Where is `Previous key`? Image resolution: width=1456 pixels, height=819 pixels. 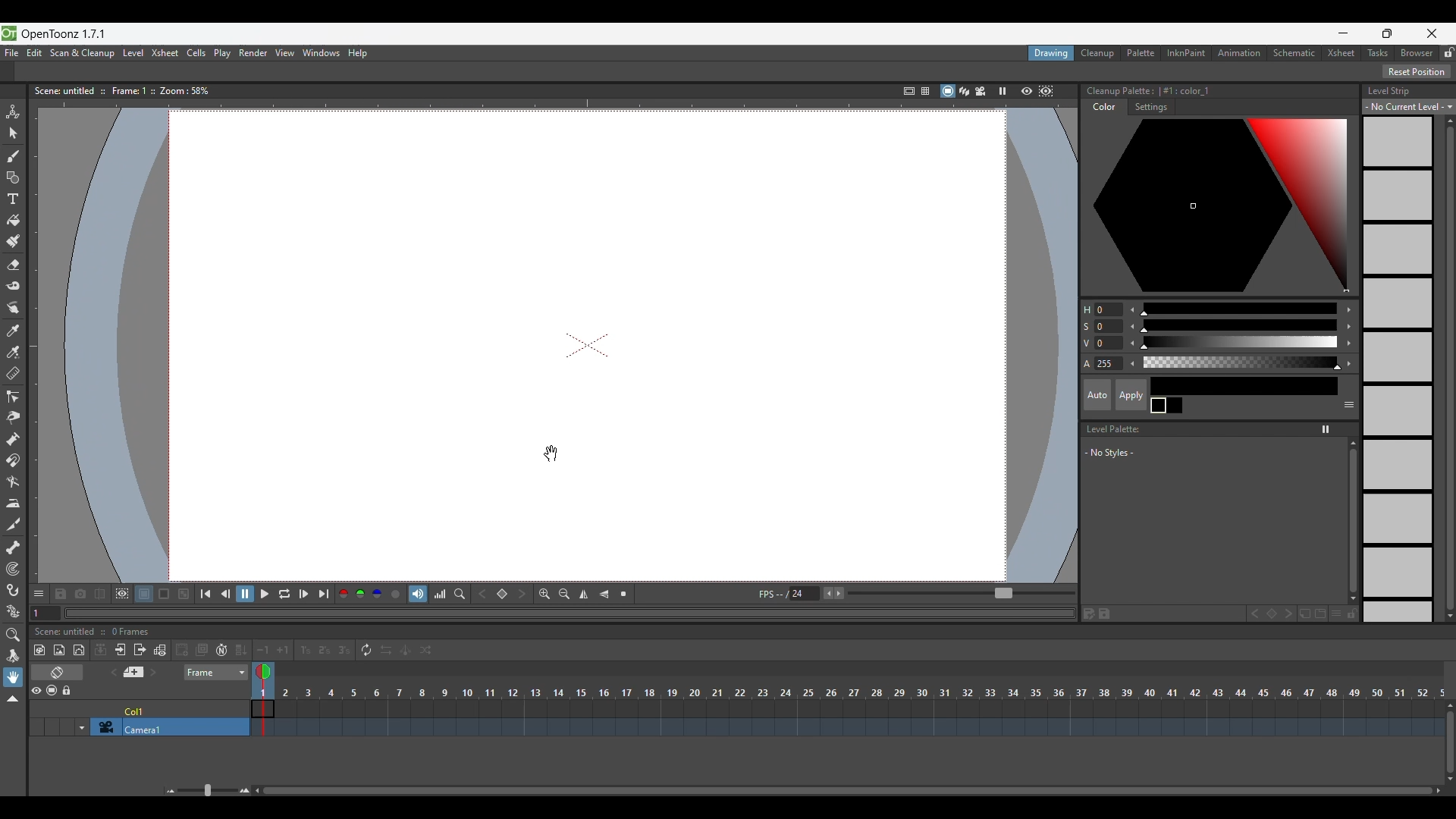 Previous key is located at coordinates (482, 594).